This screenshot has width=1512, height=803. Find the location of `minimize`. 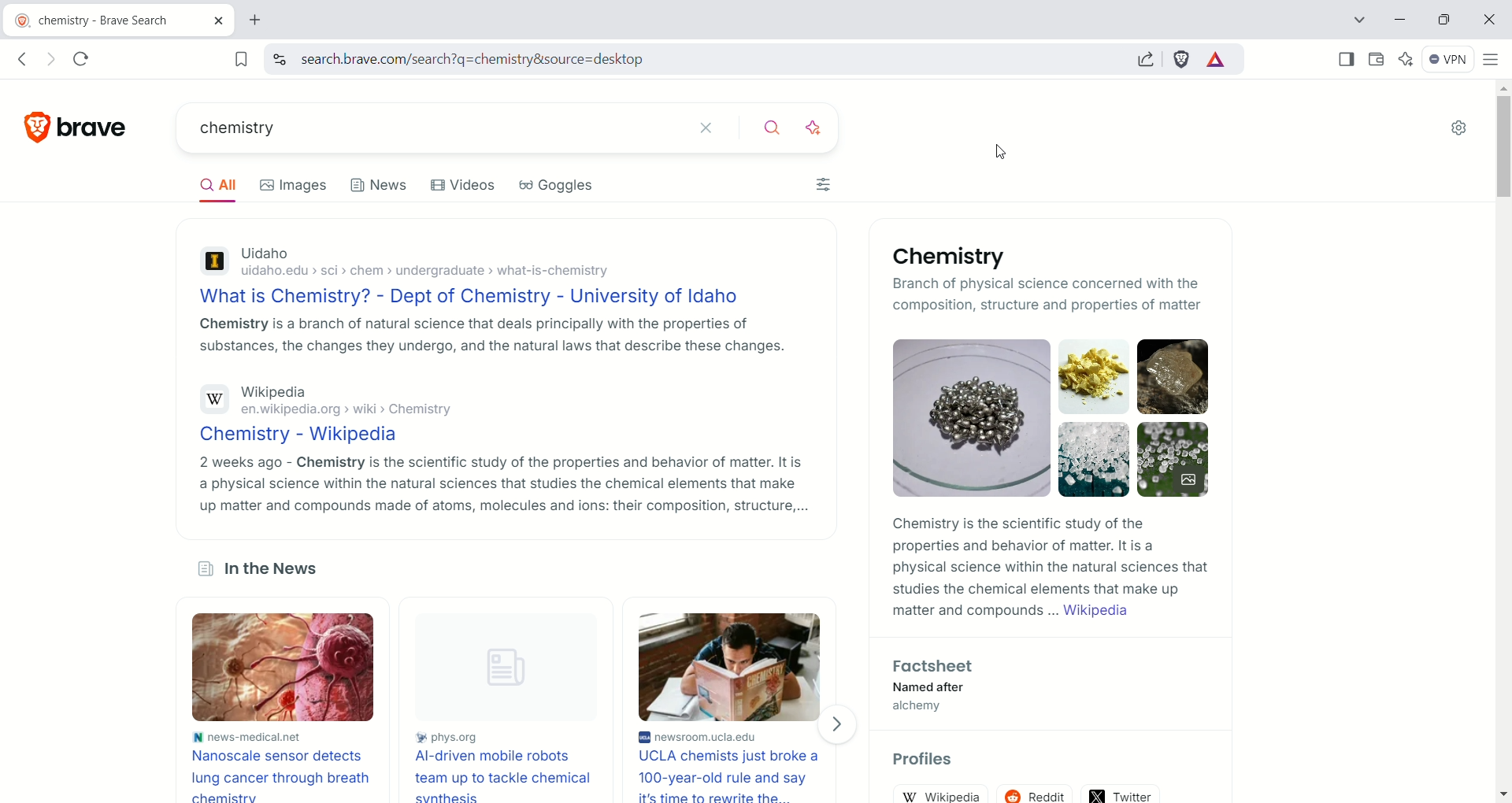

minimize is located at coordinates (1400, 18).